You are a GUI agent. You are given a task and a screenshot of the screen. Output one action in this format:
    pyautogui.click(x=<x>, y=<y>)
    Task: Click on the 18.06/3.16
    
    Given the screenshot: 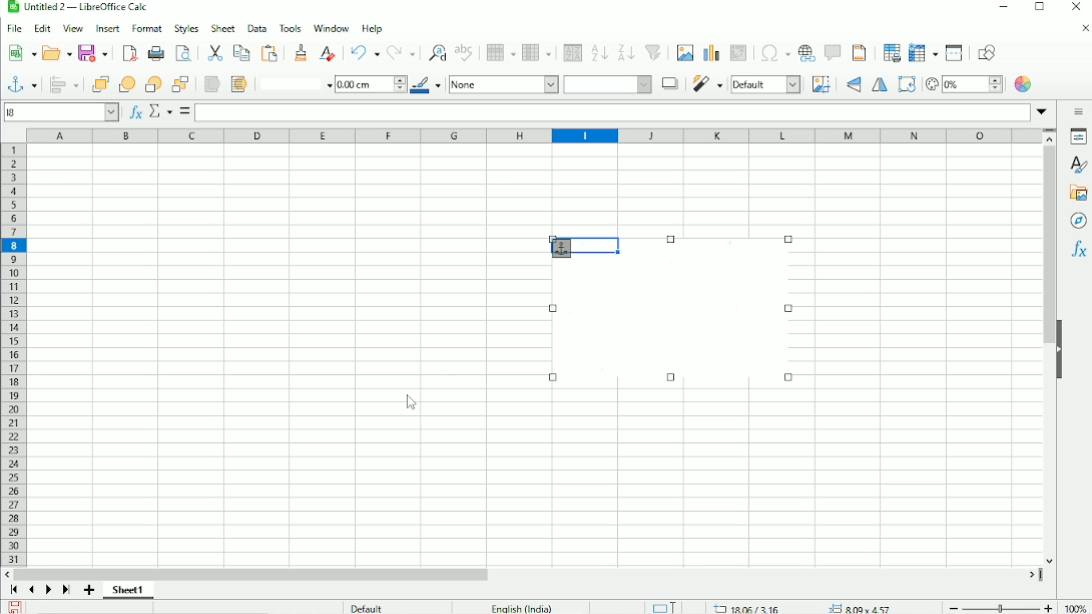 What is the action you would take?
    pyautogui.click(x=748, y=608)
    